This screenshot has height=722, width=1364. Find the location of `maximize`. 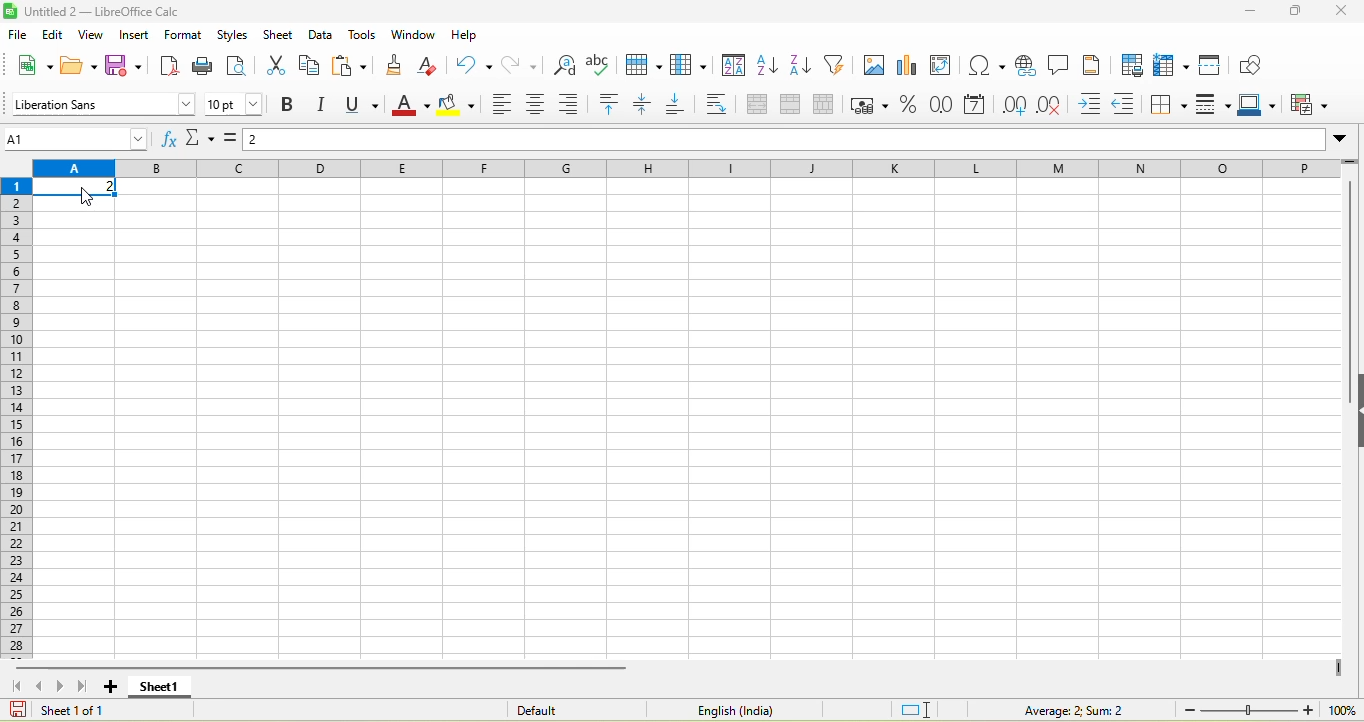

maximize is located at coordinates (1298, 12).